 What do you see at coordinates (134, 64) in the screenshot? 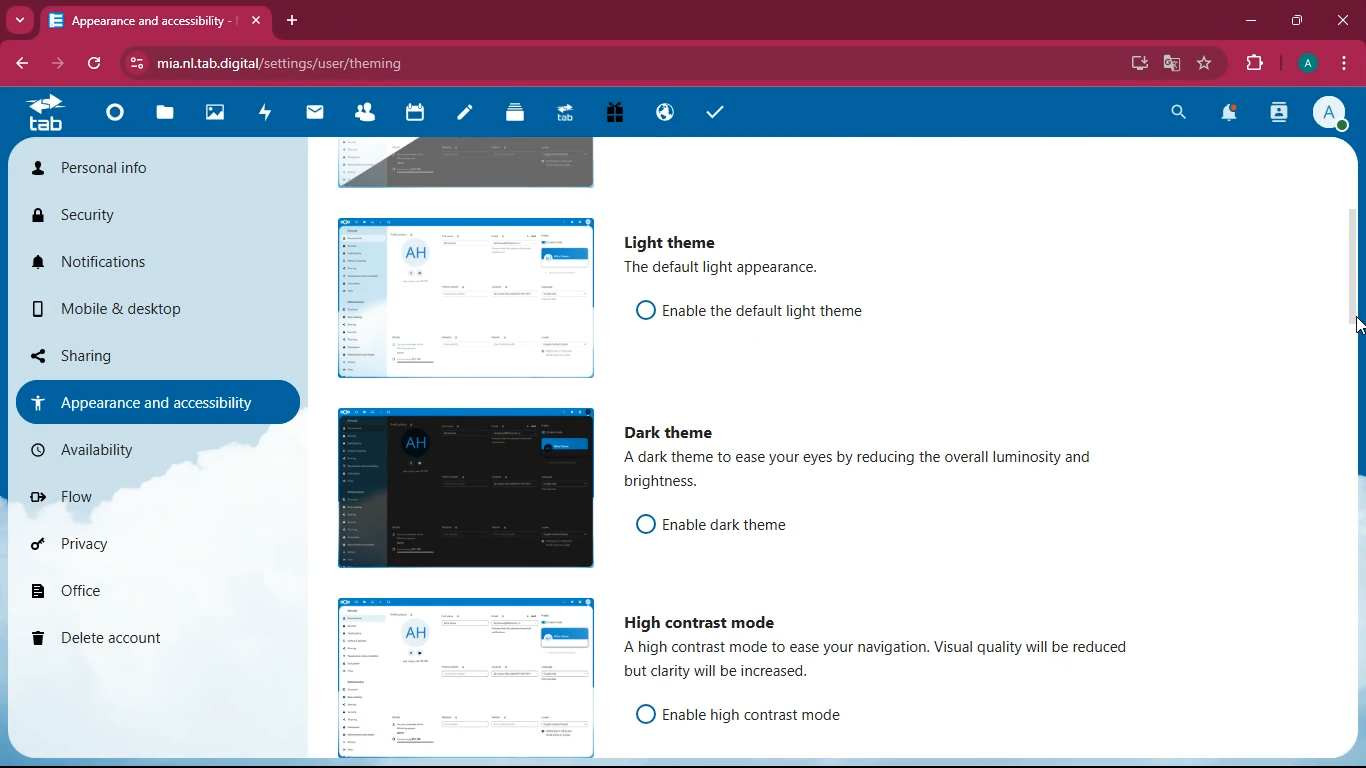
I see `view site information` at bounding box center [134, 64].